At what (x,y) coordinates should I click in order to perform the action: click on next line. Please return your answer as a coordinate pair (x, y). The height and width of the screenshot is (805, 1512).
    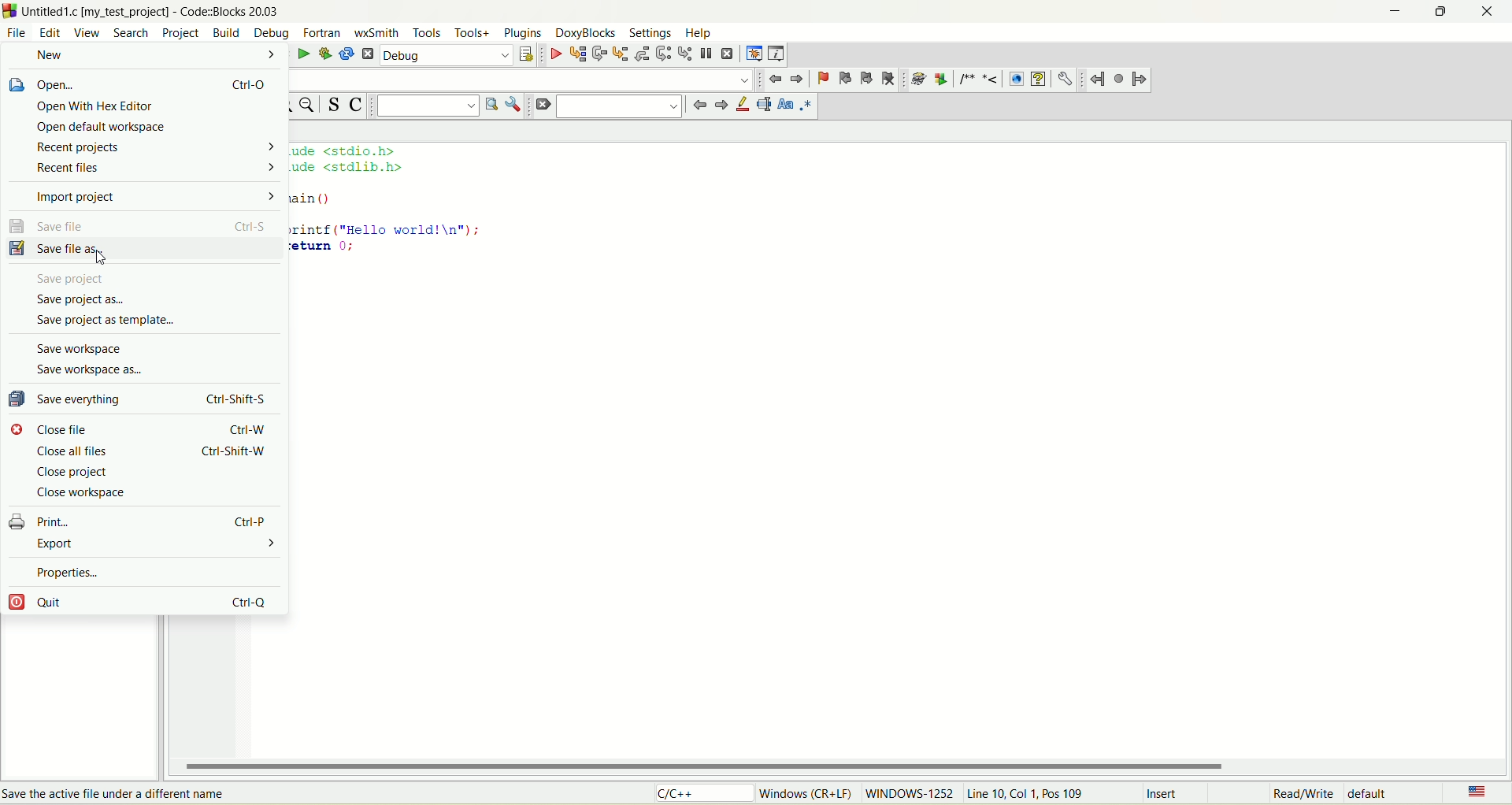
    Looking at the image, I should click on (598, 54).